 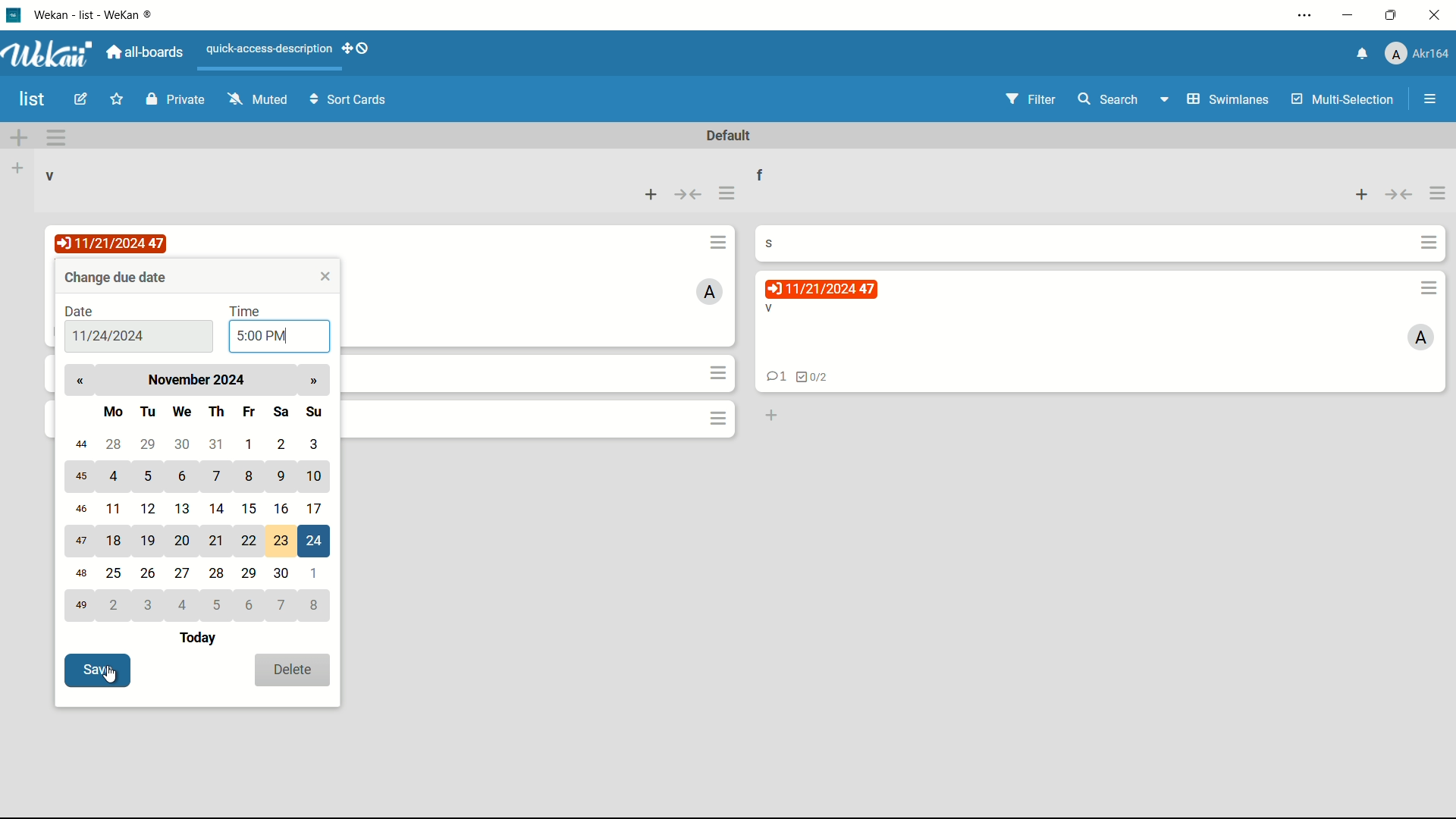 I want to click on admin, so click(x=711, y=291).